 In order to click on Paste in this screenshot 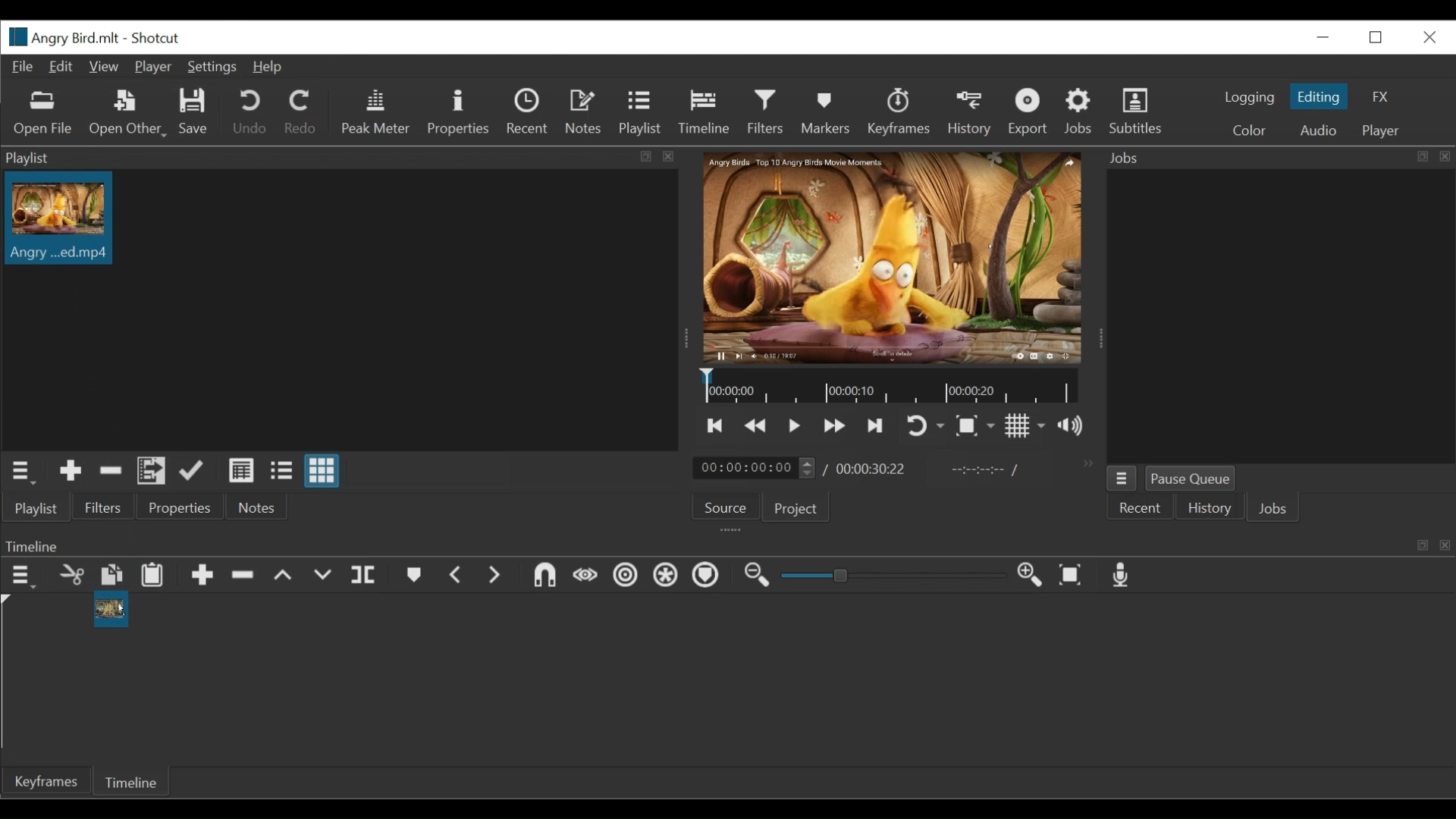, I will do `click(111, 575)`.